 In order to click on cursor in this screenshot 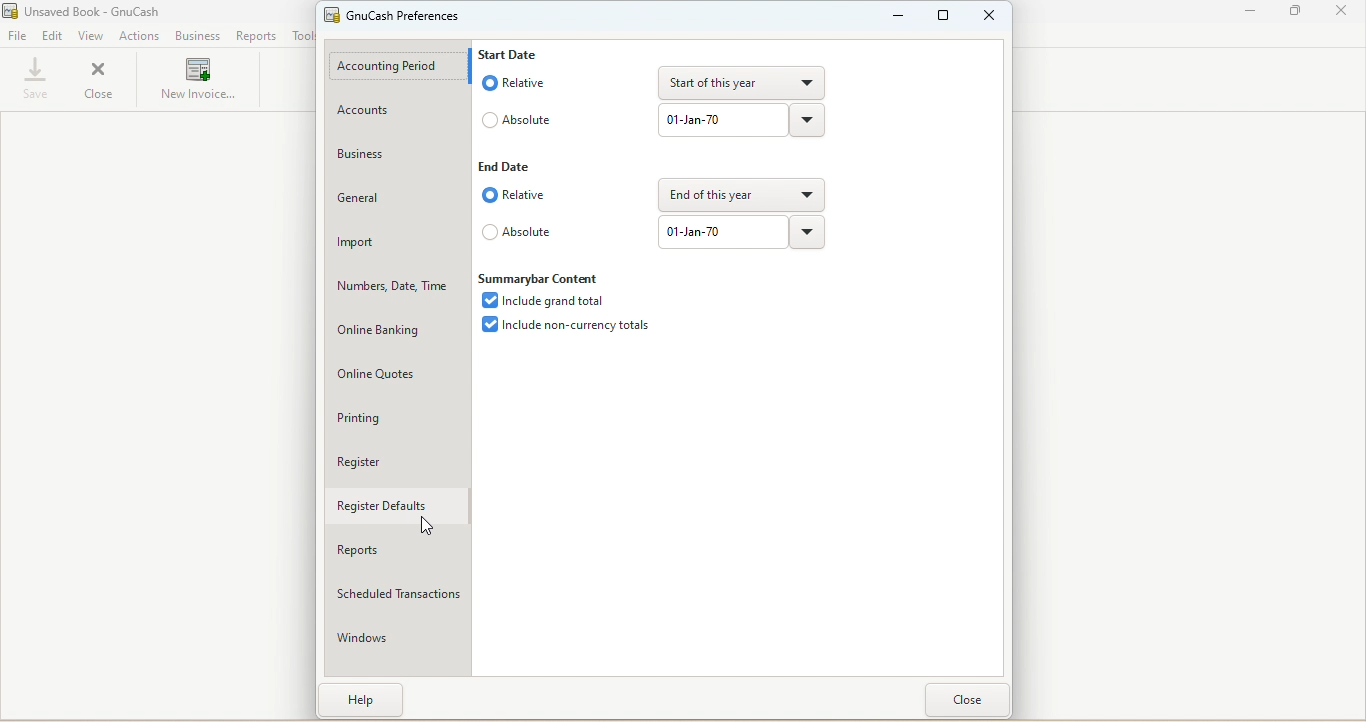, I will do `click(433, 528)`.